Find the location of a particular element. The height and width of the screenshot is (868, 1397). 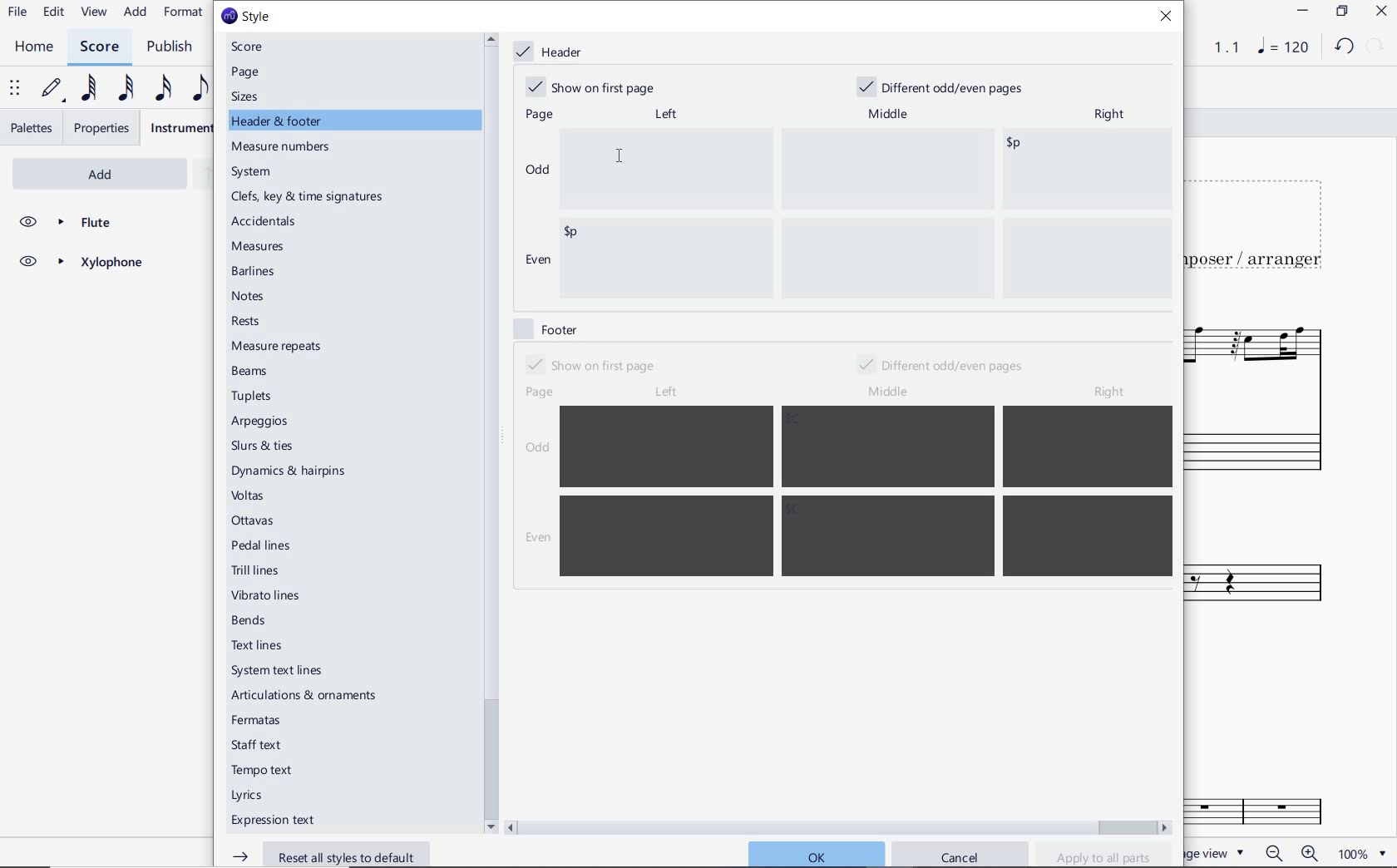

TITLE is located at coordinates (1260, 225).